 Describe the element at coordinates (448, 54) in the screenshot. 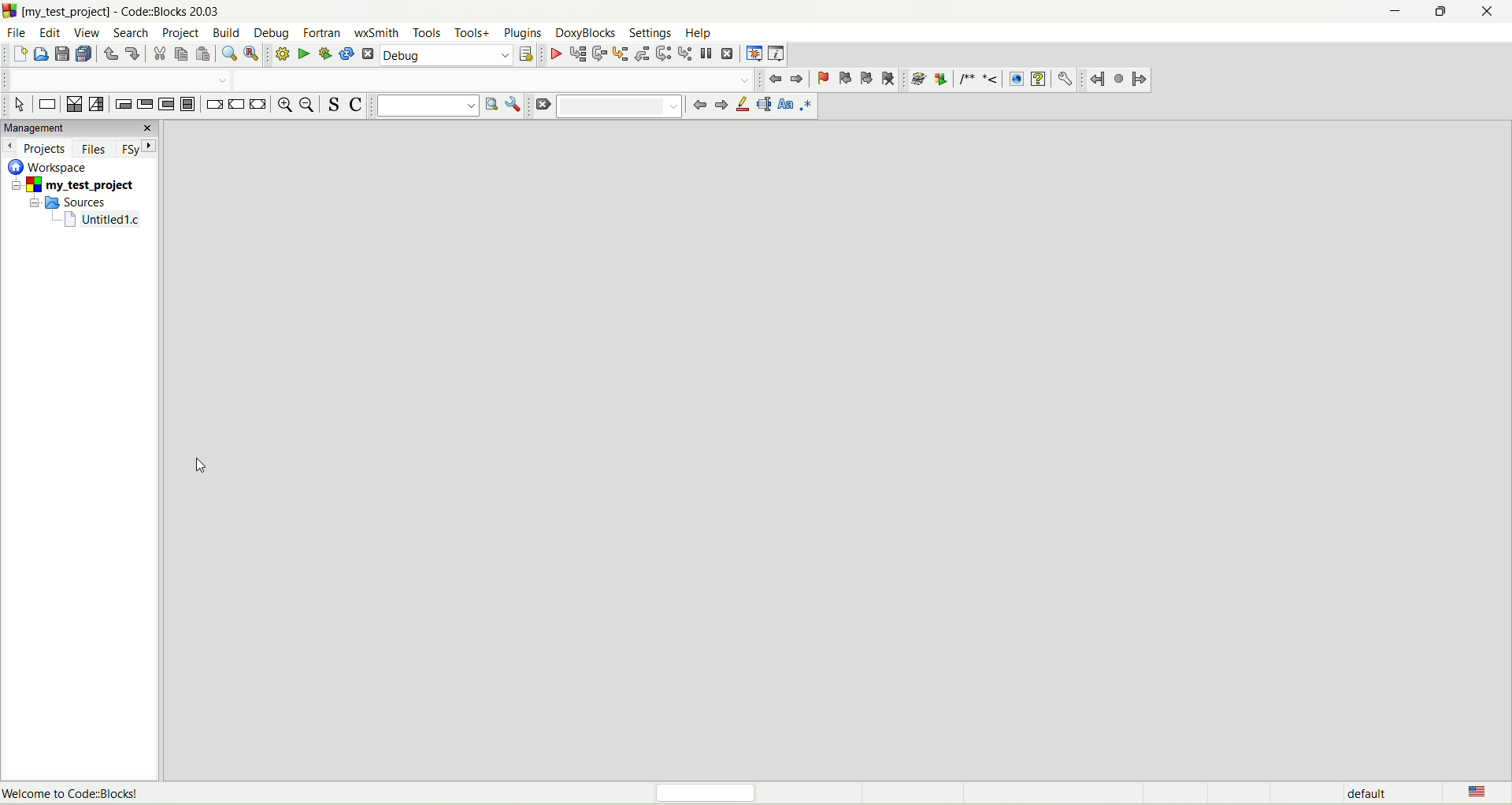

I see `debug` at that location.